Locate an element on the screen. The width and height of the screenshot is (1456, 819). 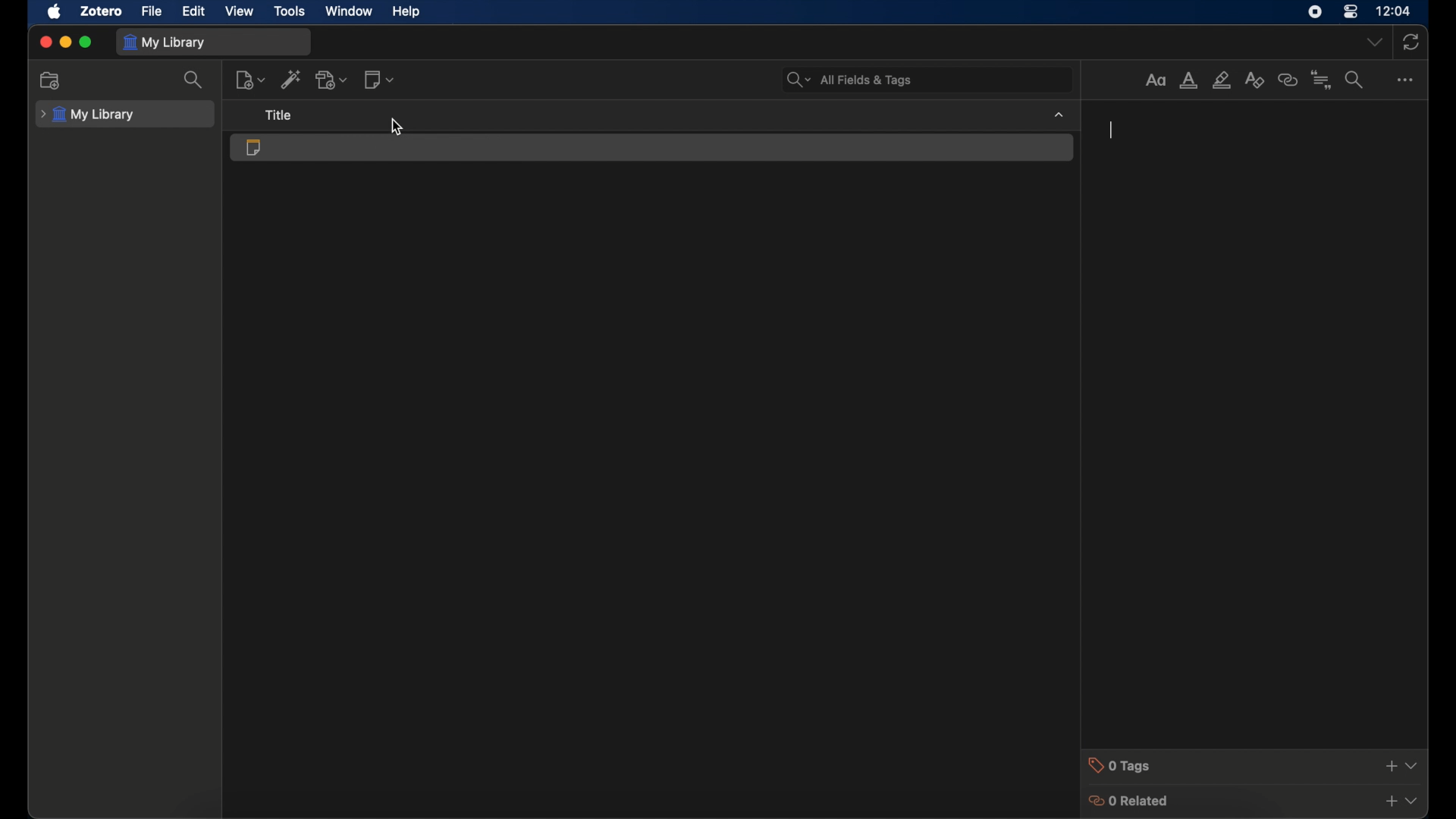
text cursor is located at coordinates (1112, 130).